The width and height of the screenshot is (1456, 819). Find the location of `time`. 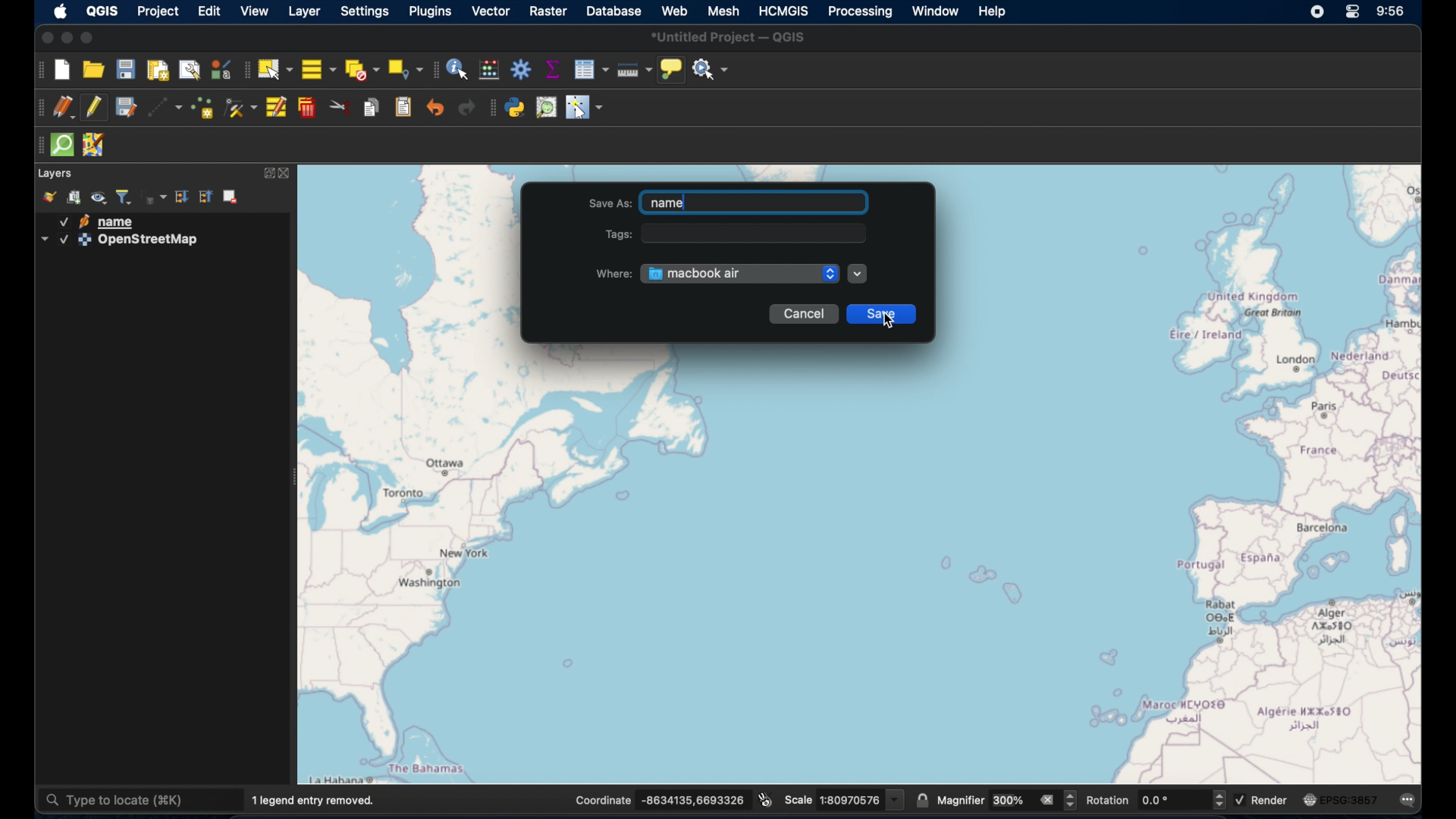

time is located at coordinates (1393, 13).